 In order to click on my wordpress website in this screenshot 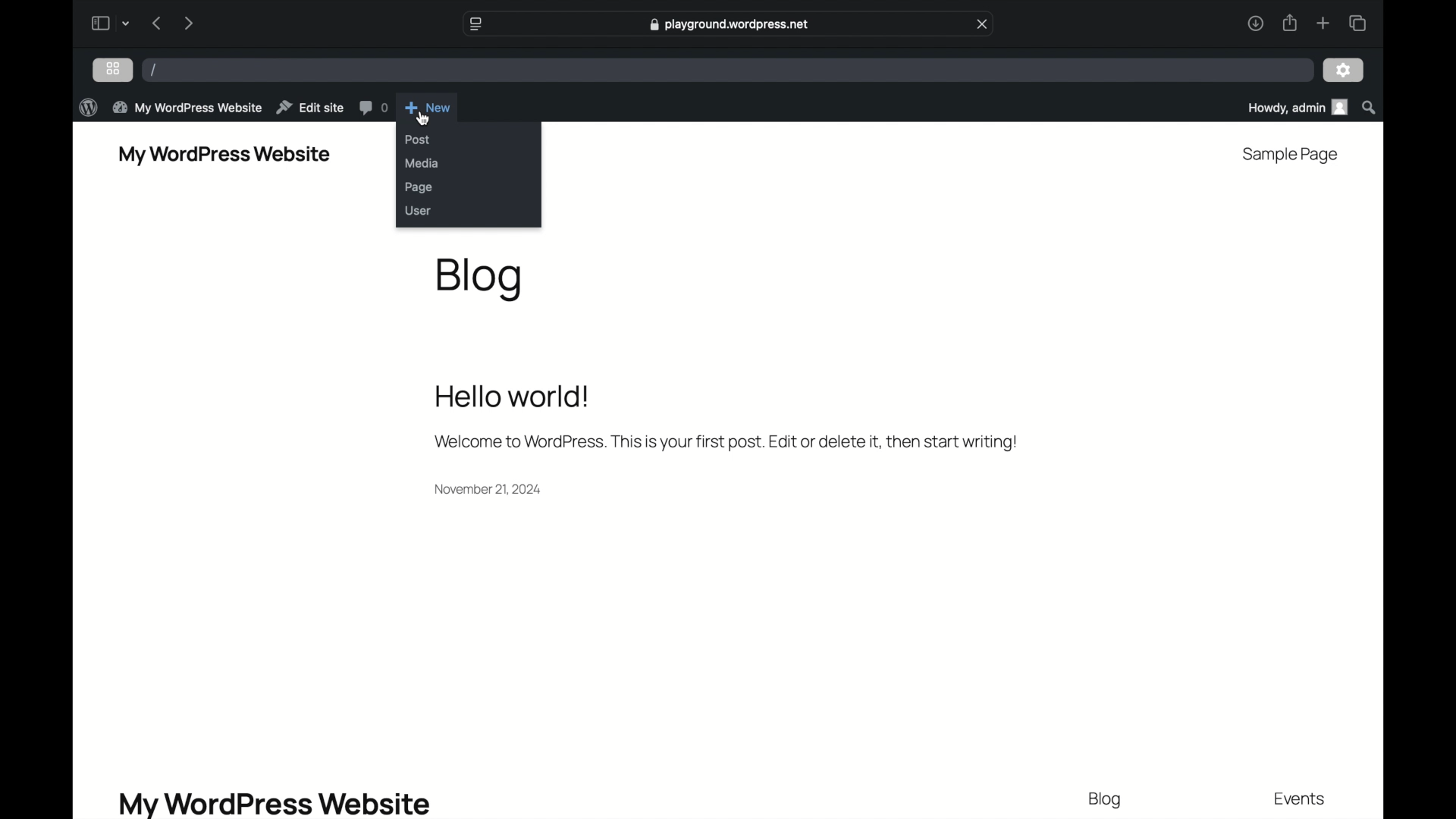, I will do `click(275, 803)`.